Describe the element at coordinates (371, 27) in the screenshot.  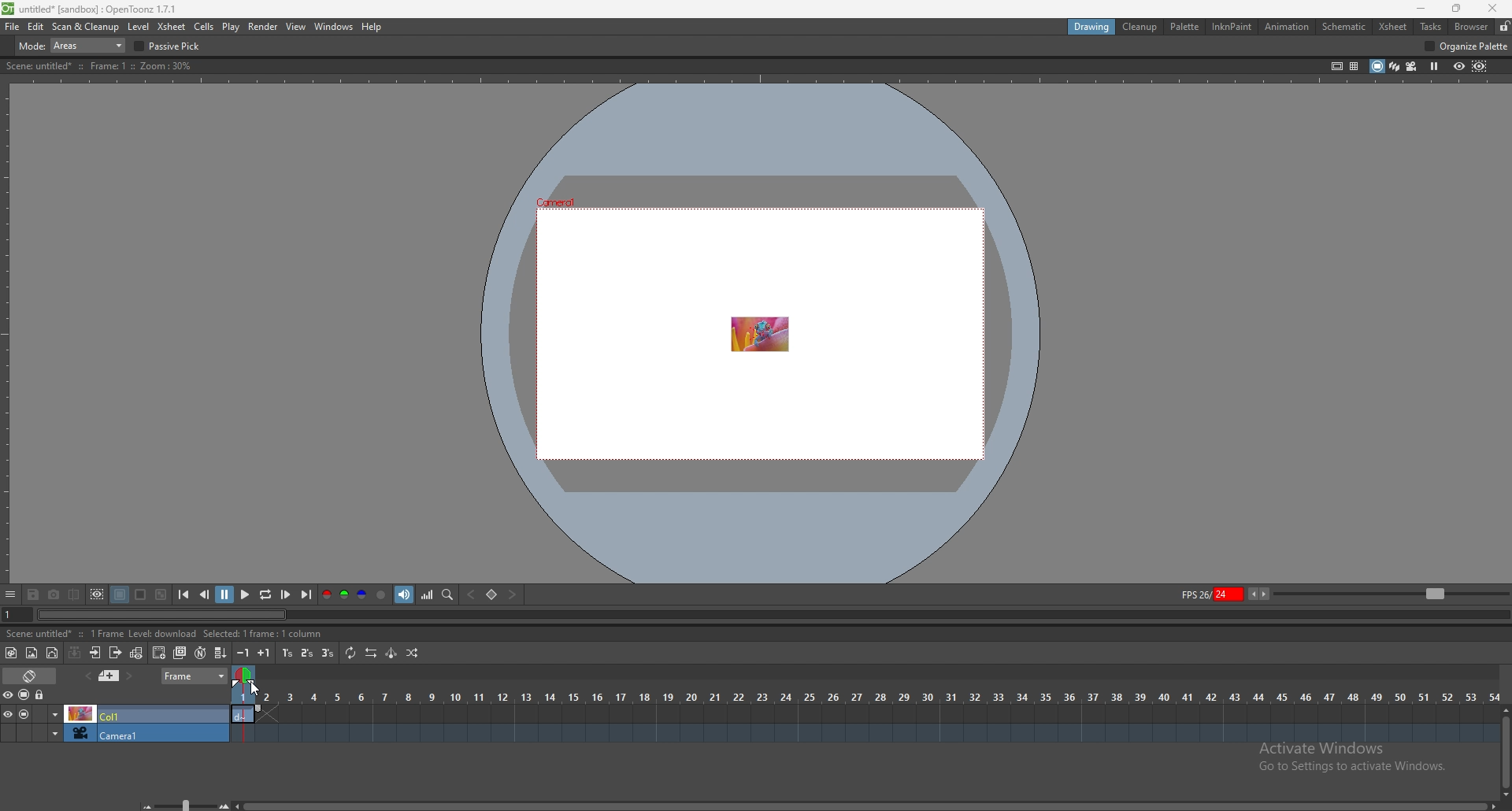
I see `help` at that location.